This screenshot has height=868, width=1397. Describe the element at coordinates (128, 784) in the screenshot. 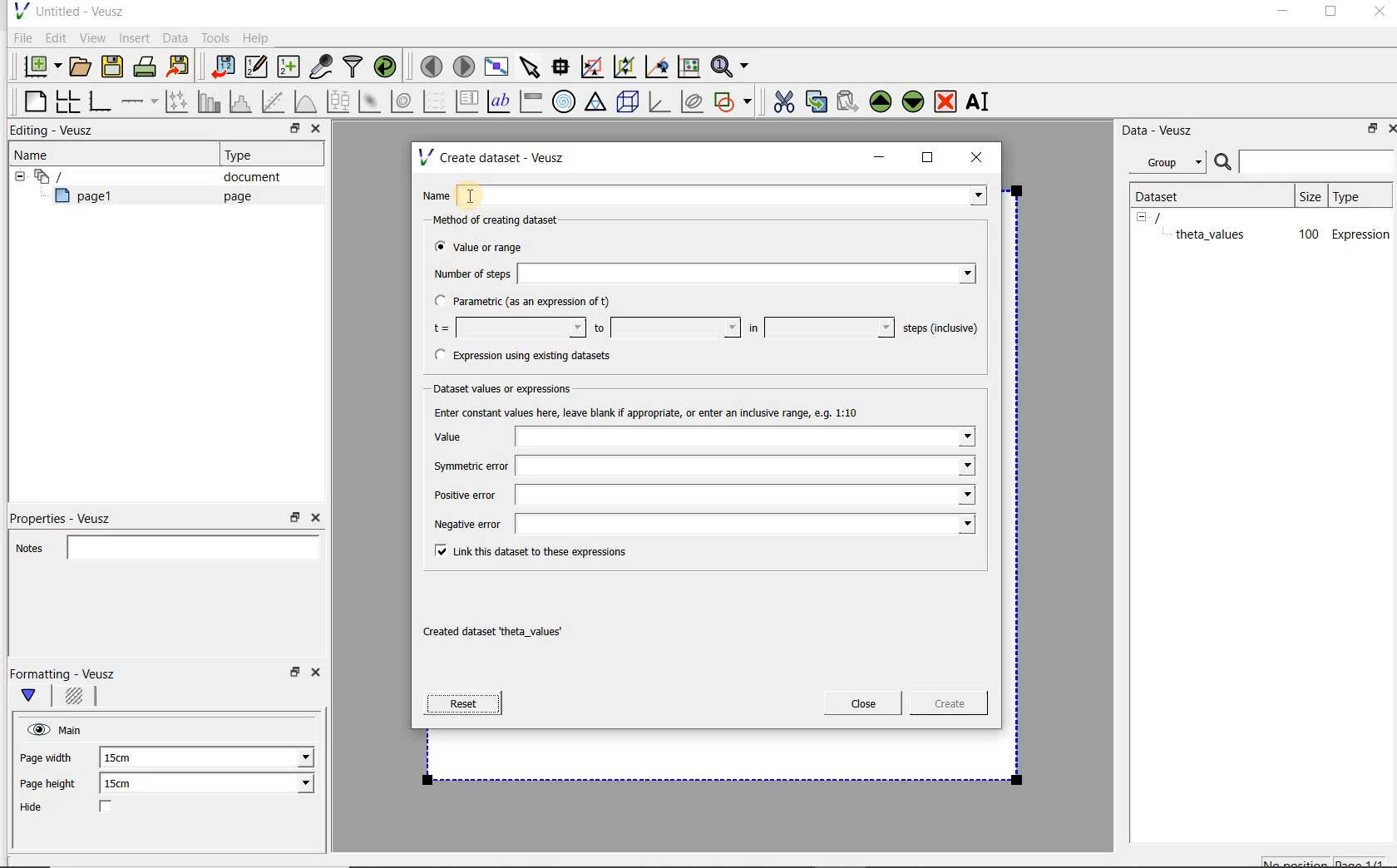

I see `15cm` at that location.